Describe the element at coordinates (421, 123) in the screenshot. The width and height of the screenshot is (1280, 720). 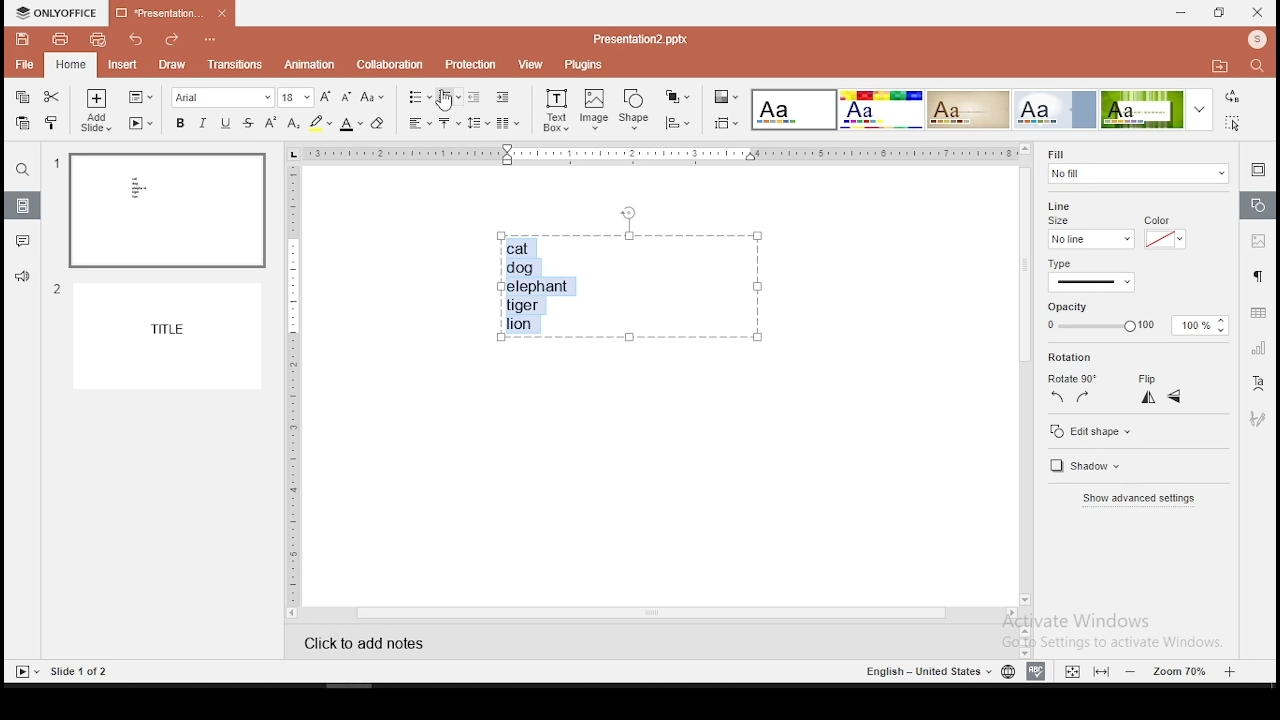
I see `horizontal align` at that location.